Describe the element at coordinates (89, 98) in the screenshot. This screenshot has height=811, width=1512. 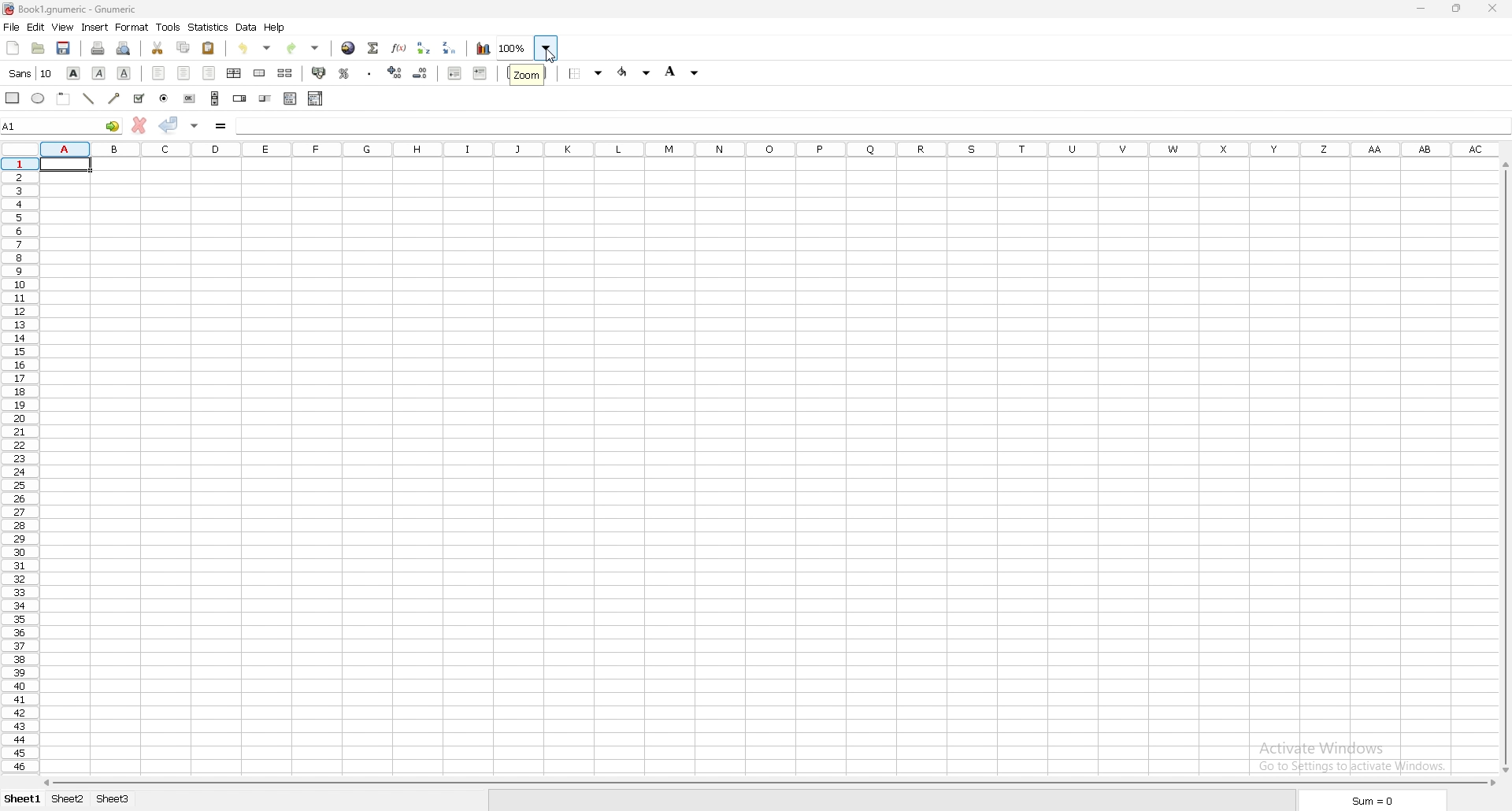
I see `line` at that location.